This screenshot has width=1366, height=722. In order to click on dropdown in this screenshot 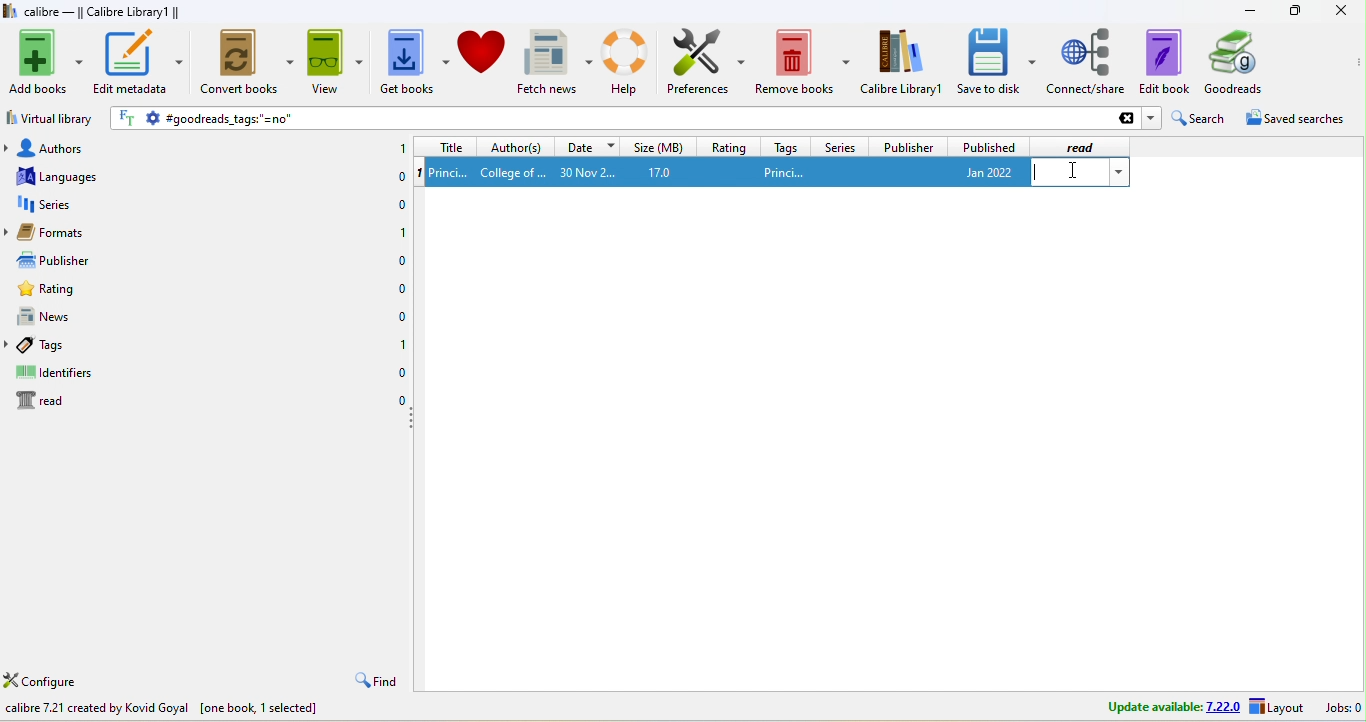, I will do `click(1119, 172)`.